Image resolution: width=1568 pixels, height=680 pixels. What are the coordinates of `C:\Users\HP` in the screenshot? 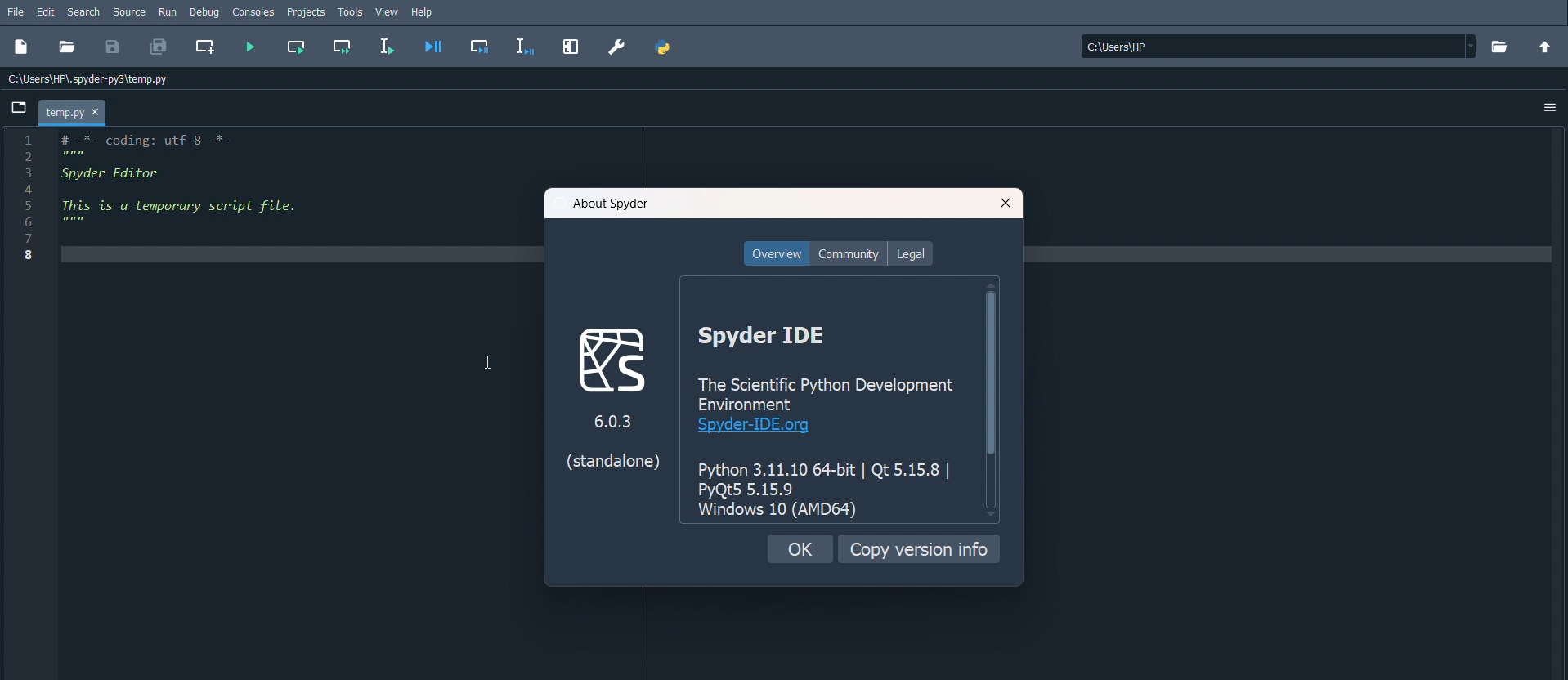 It's located at (1279, 47).